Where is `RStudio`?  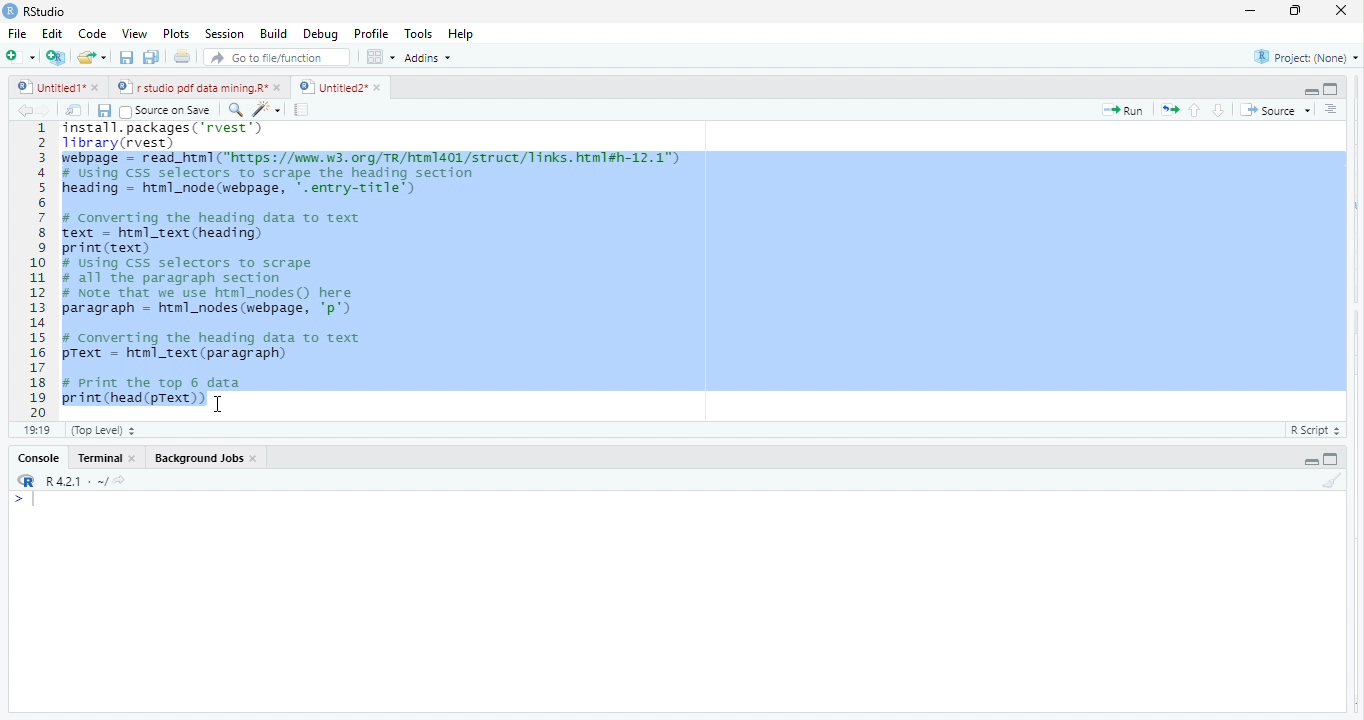
RStudio is located at coordinates (51, 10).